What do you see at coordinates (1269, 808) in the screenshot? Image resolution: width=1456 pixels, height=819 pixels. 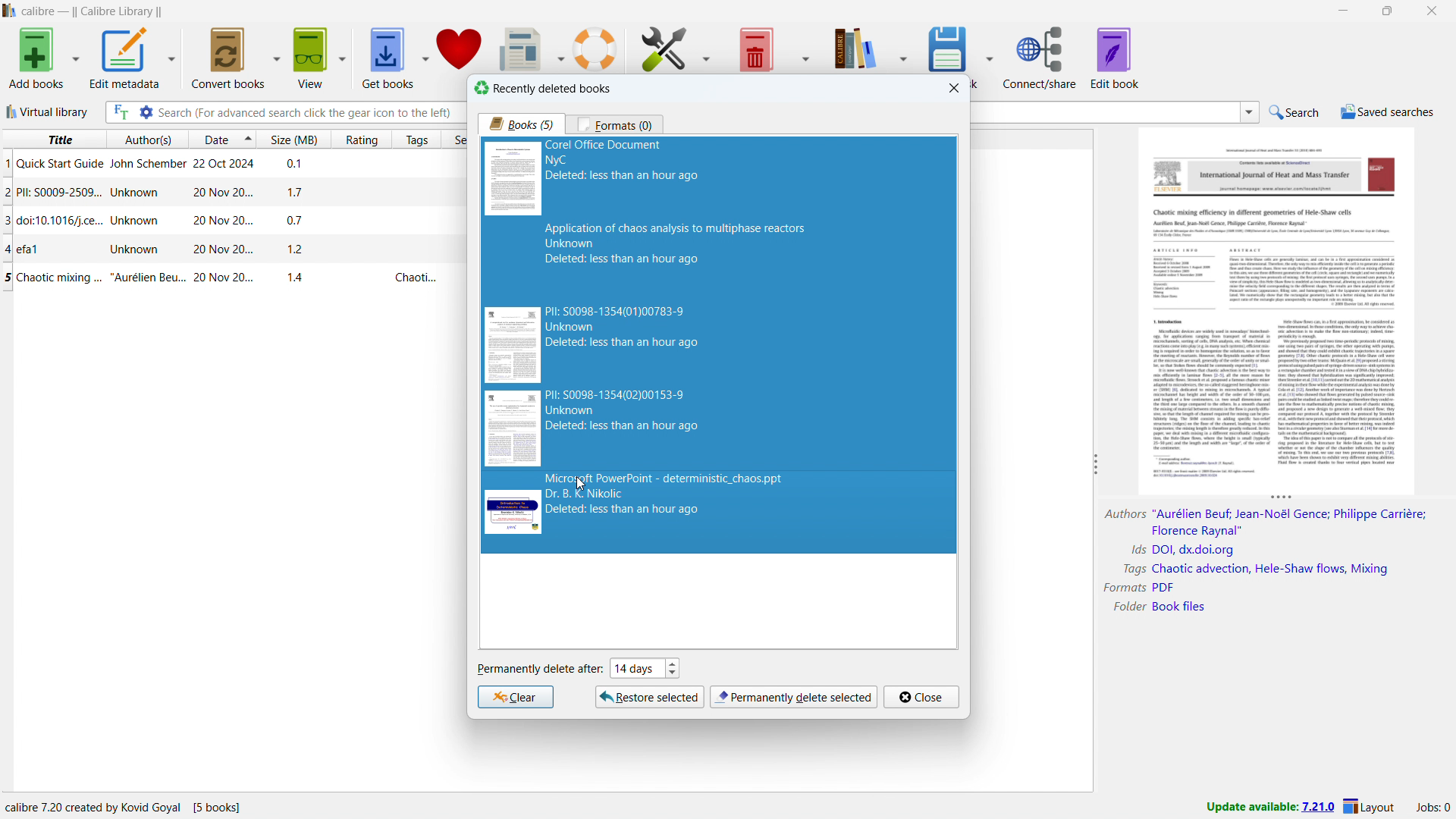 I see `update` at bounding box center [1269, 808].